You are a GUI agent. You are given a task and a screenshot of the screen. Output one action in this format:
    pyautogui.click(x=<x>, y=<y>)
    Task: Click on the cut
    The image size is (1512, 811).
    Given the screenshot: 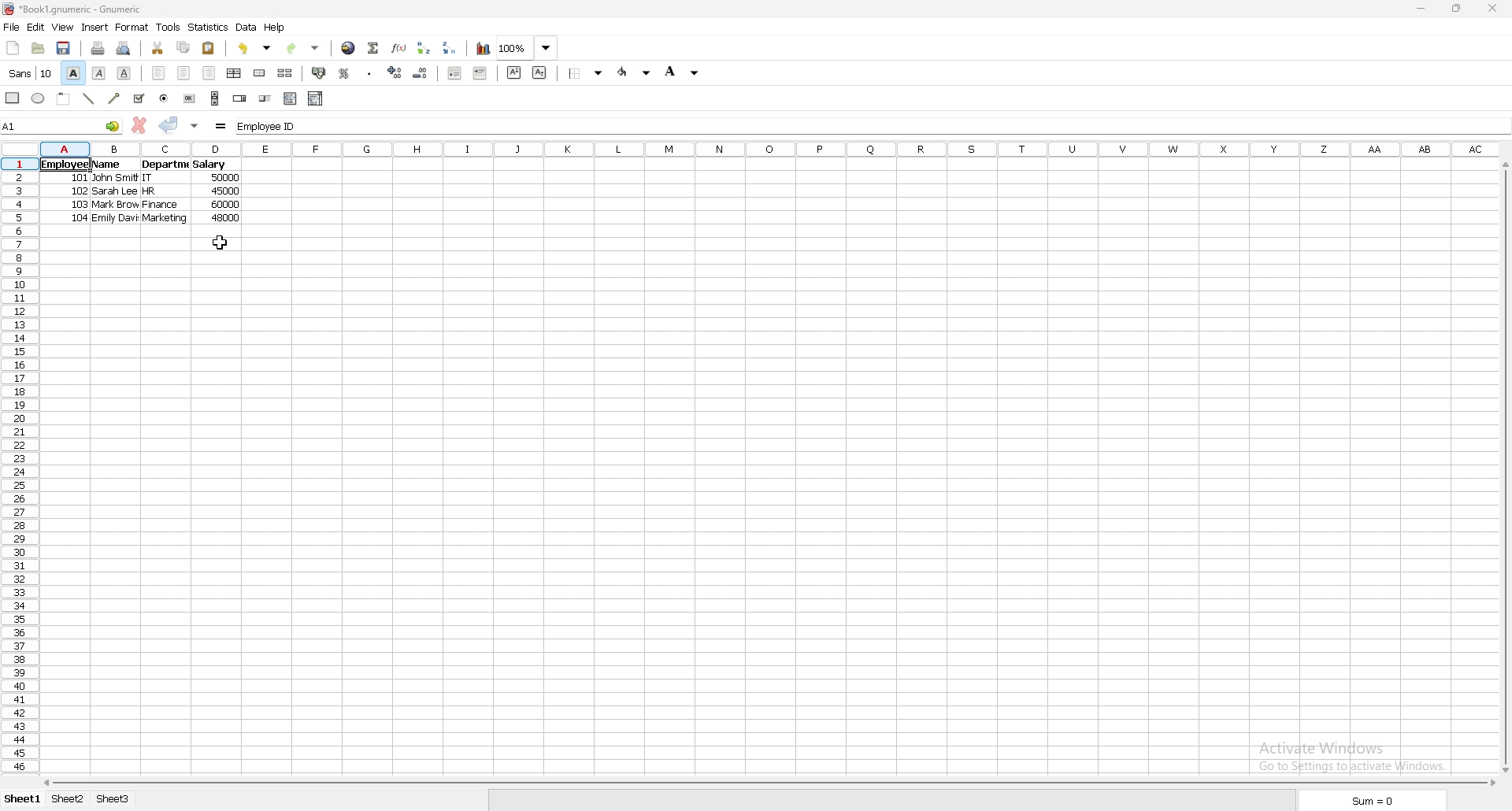 What is the action you would take?
    pyautogui.click(x=157, y=47)
    